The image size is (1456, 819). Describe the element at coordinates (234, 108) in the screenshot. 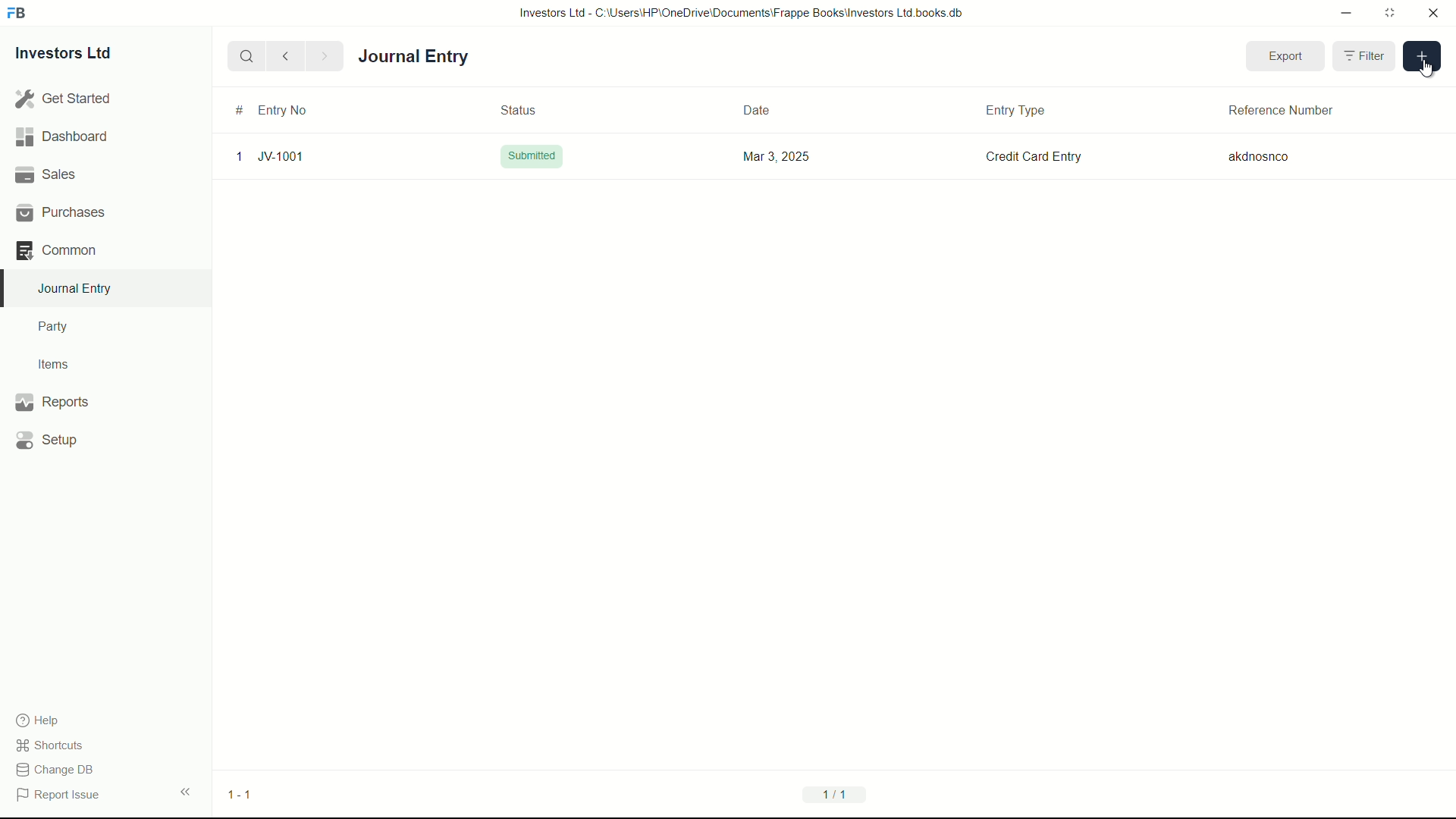

I see `#` at that location.